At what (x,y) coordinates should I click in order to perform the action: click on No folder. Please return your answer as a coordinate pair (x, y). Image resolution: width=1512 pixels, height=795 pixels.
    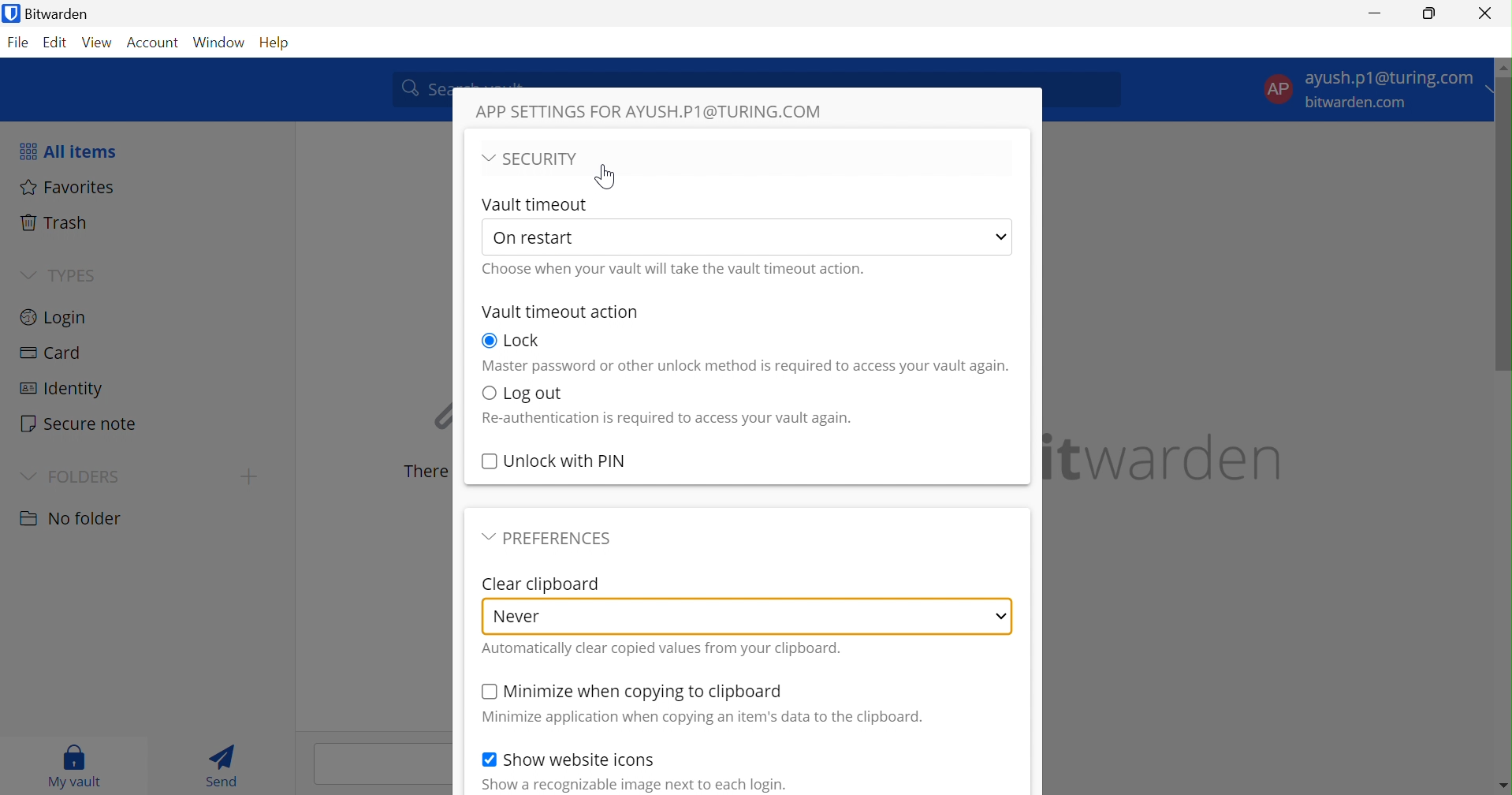
    Looking at the image, I should click on (74, 518).